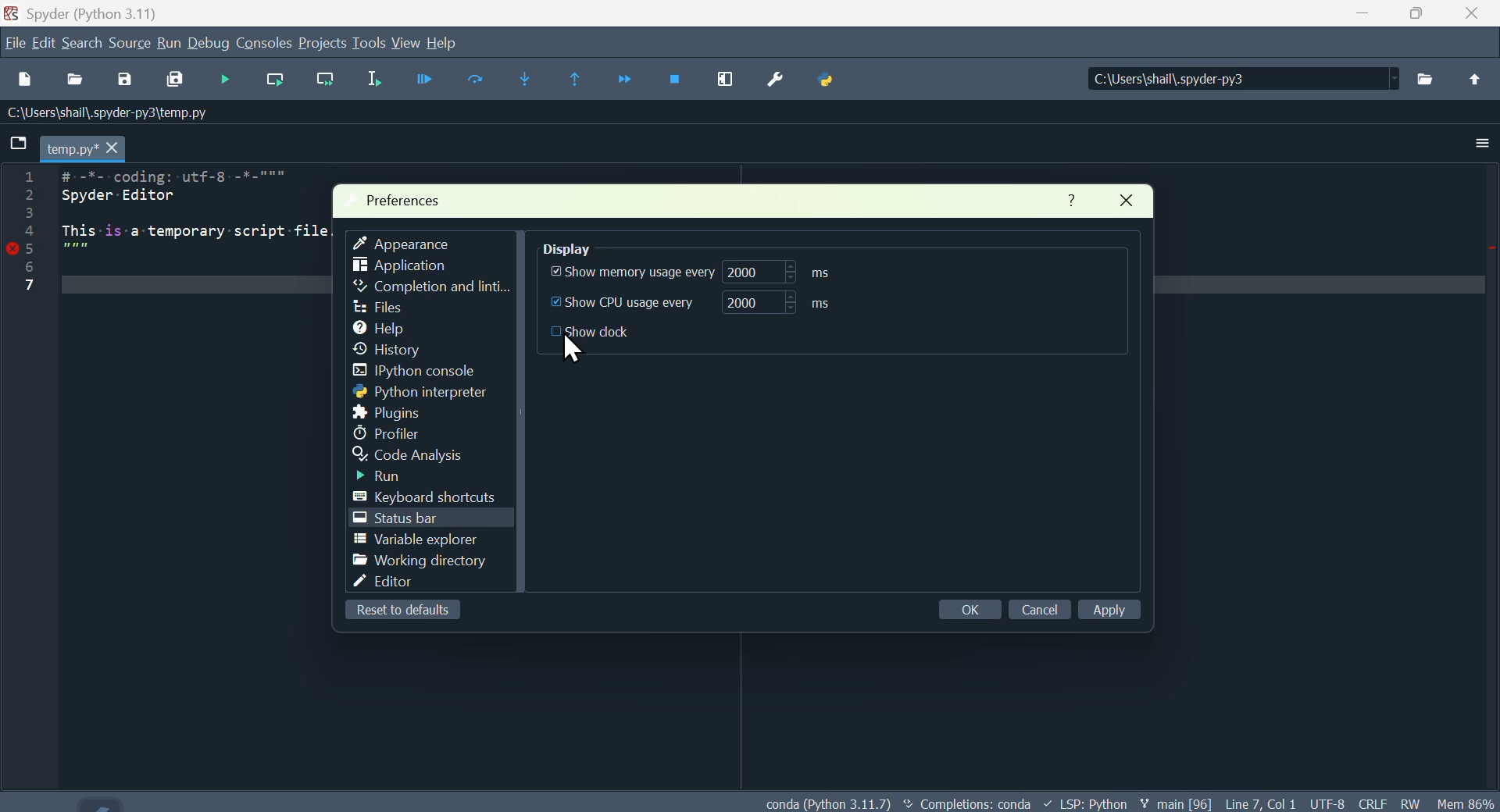 The width and height of the screenshot is (1500, 812). Describe the element at coordinates (266, 42) in the screenshot. I see `Console` at that location.